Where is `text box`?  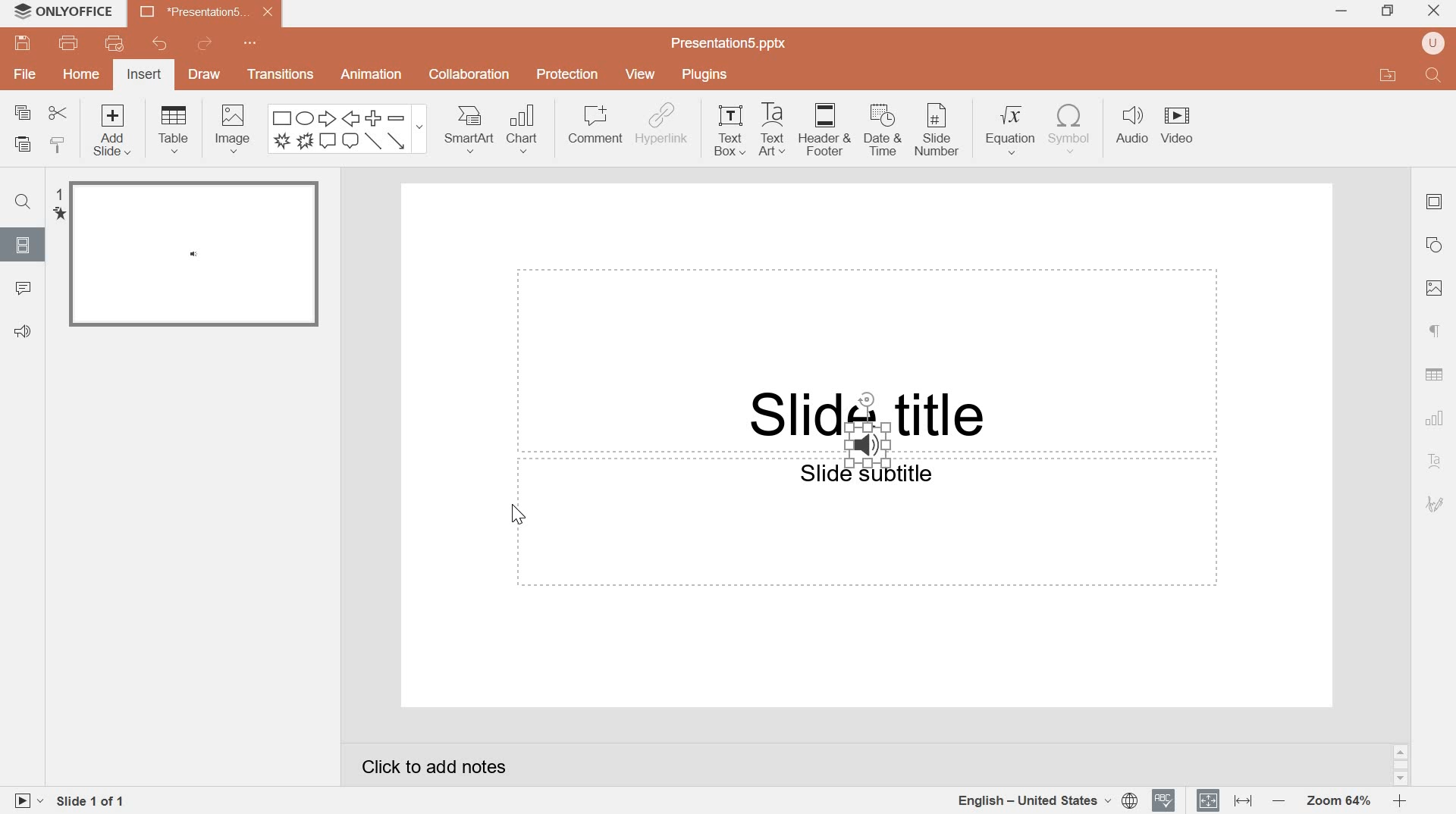
text box is located at coordinates (732, 130).